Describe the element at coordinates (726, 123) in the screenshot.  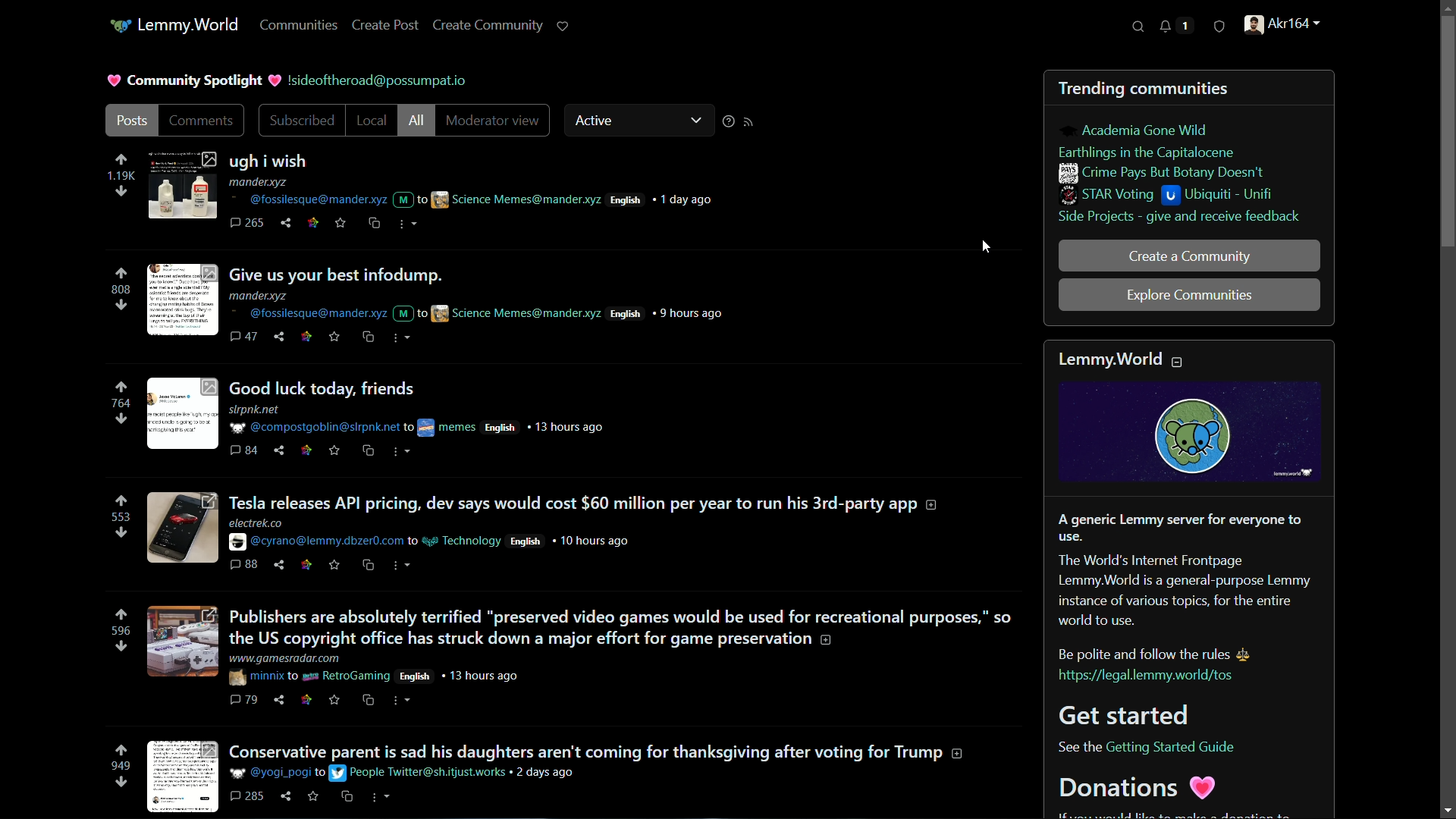
I see `sorting help` at that location.